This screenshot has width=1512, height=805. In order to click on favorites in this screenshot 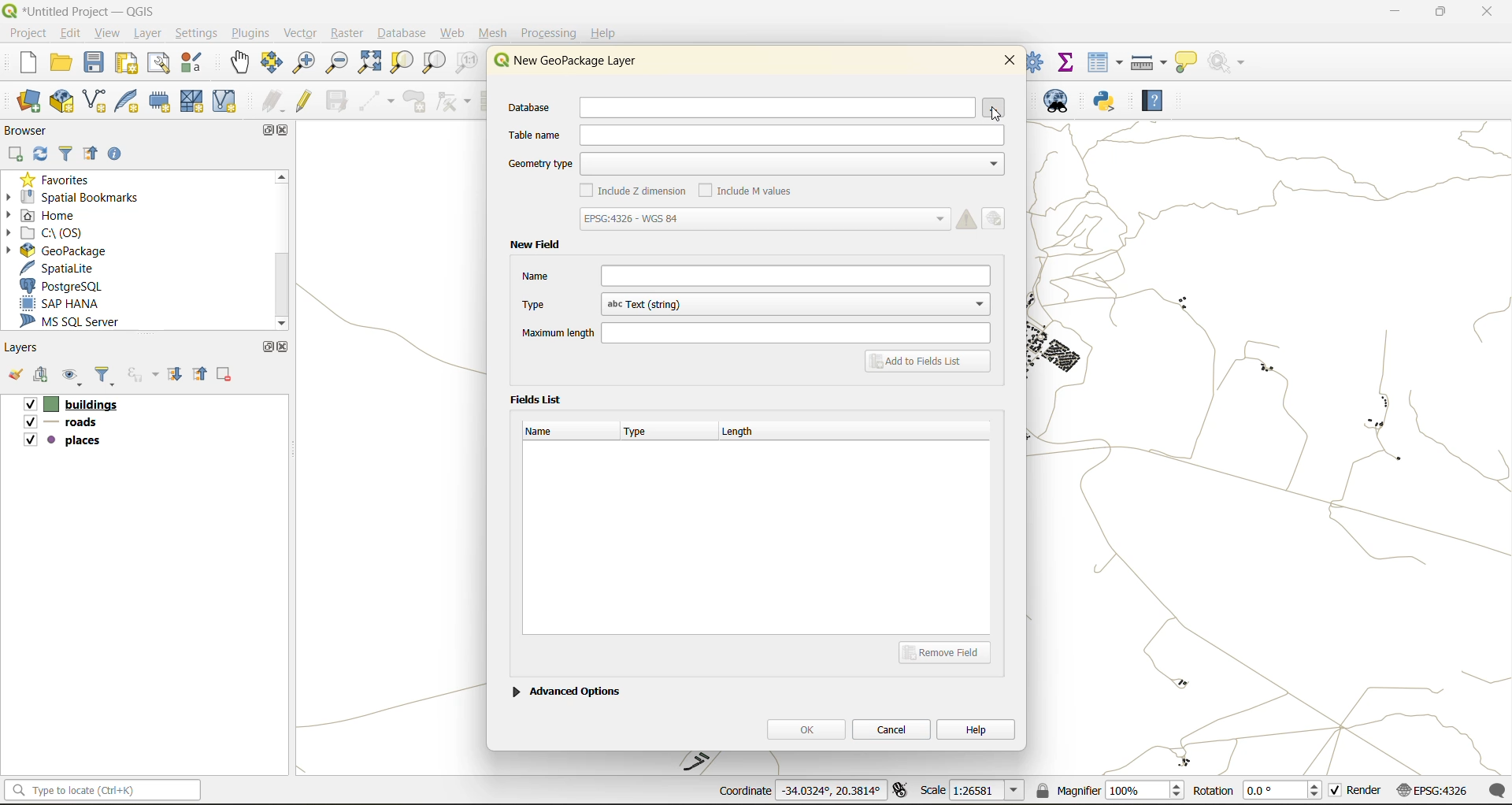, I will do `click(59, 178)`.